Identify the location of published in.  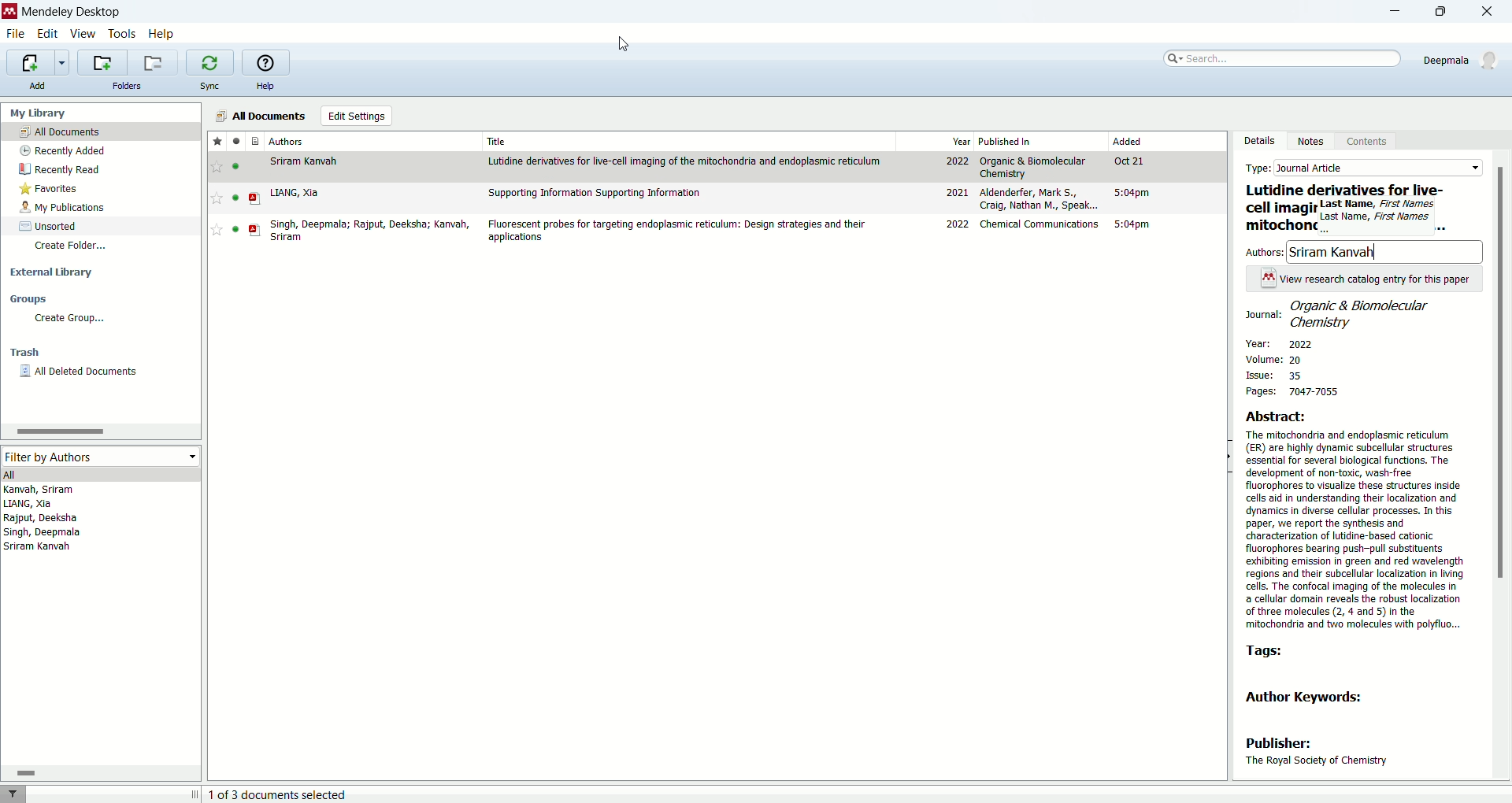
(1021, 142).